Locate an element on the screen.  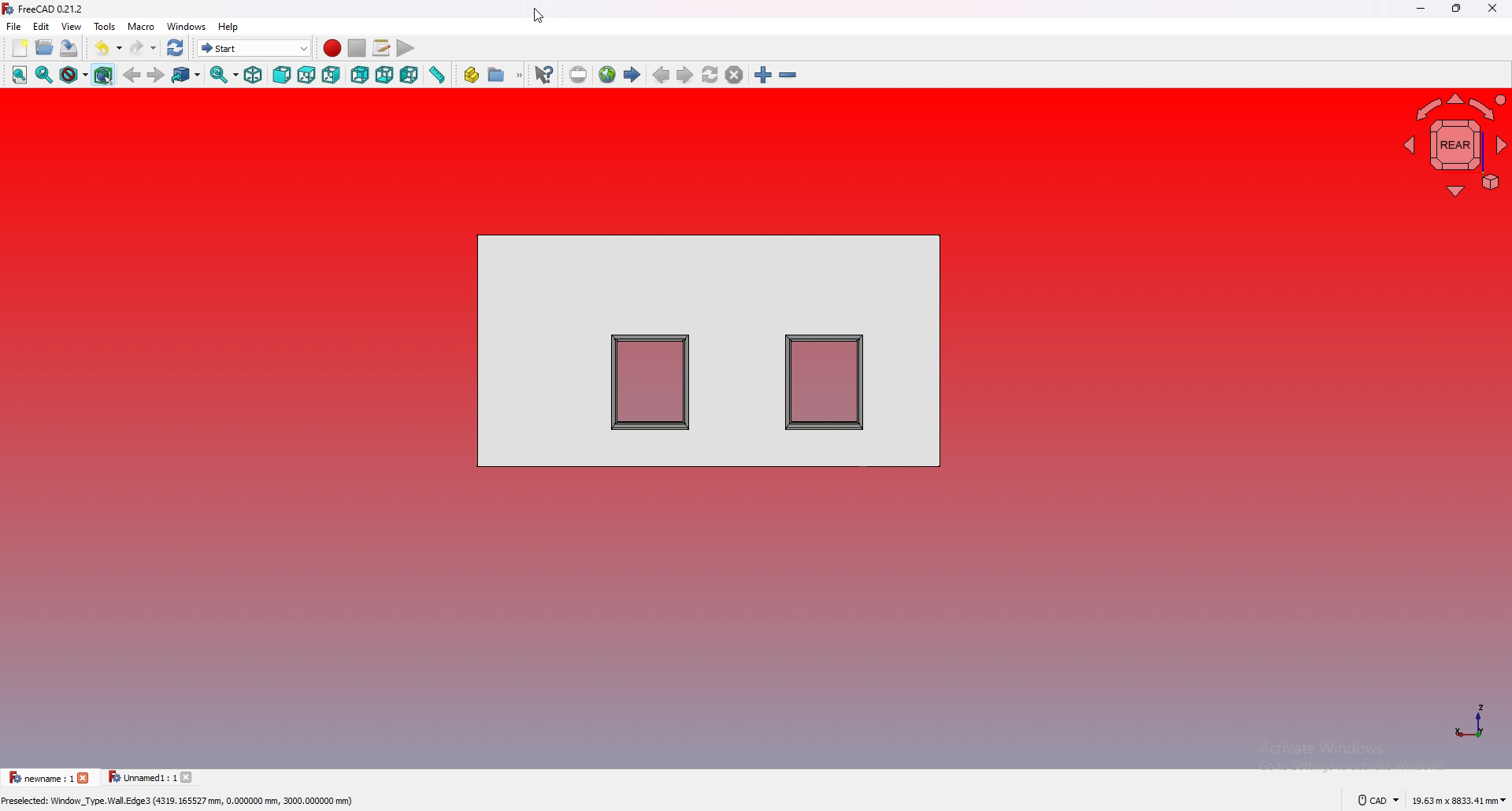
create group is located at coordinates (506, 74).